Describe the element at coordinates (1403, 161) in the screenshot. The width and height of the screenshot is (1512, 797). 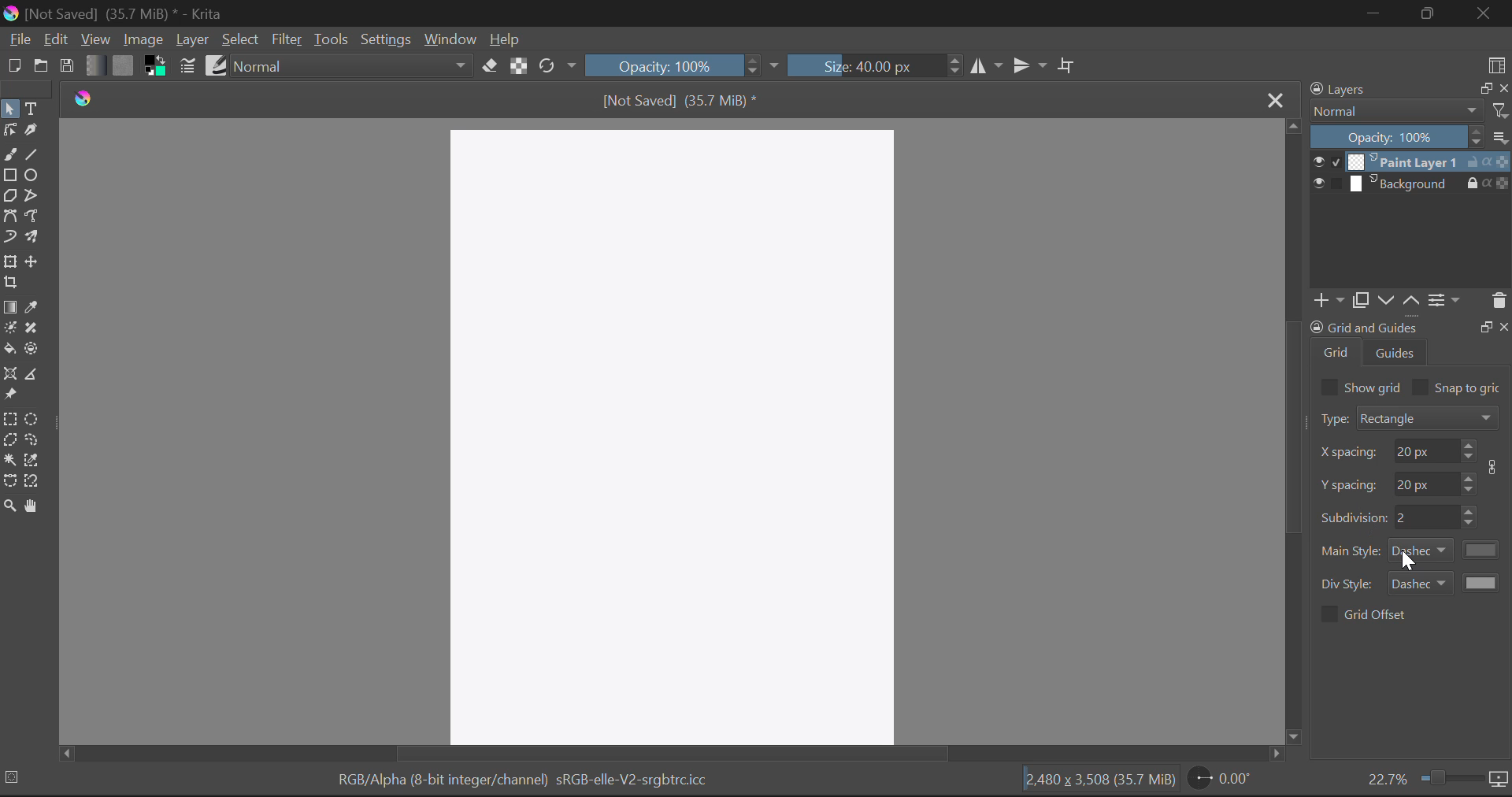
I see `layer 1` at that location.